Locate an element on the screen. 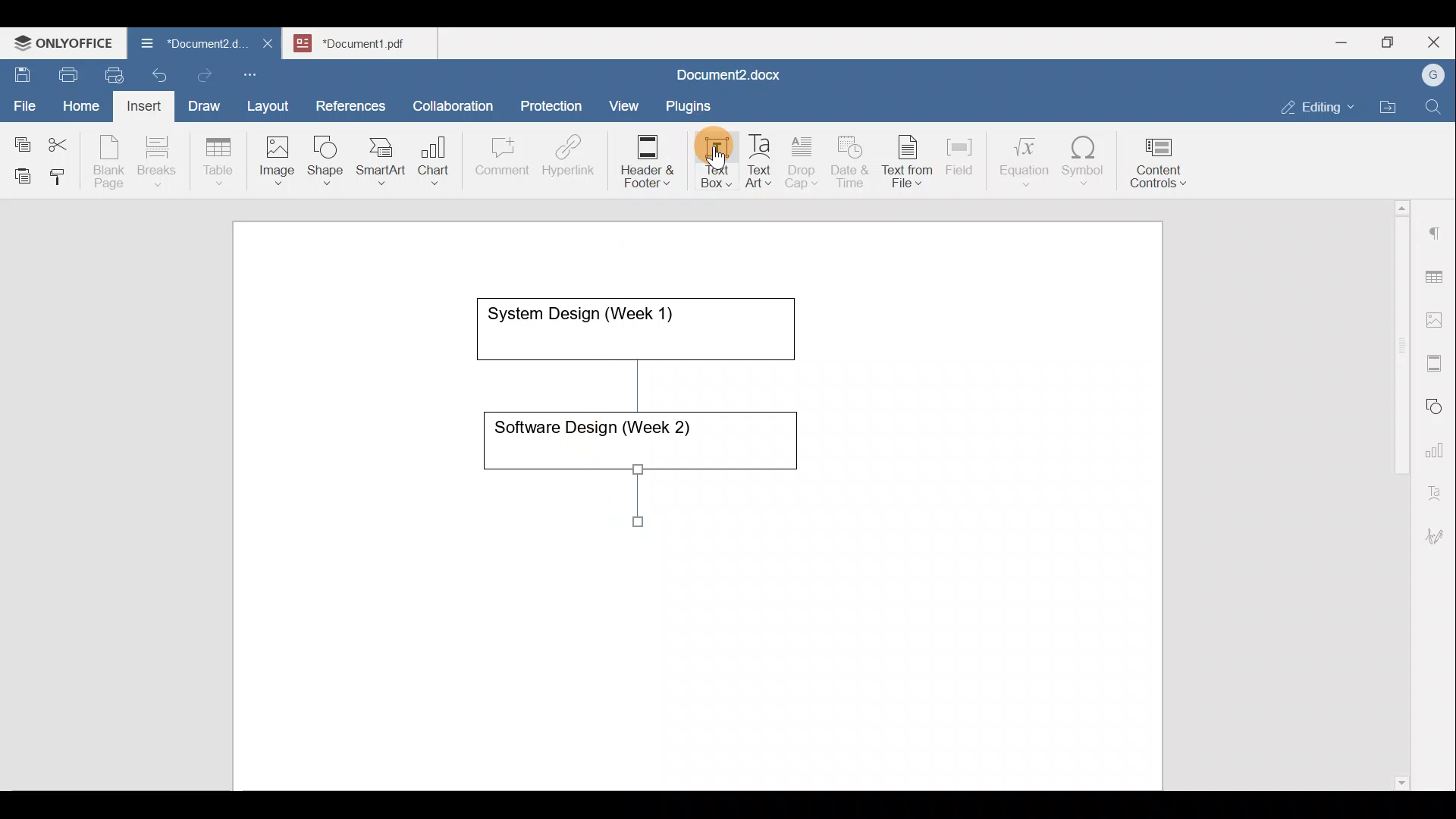 Image resolution: width=1456 pixels, height=819 pixels. File is located at coordinates (26, 101).